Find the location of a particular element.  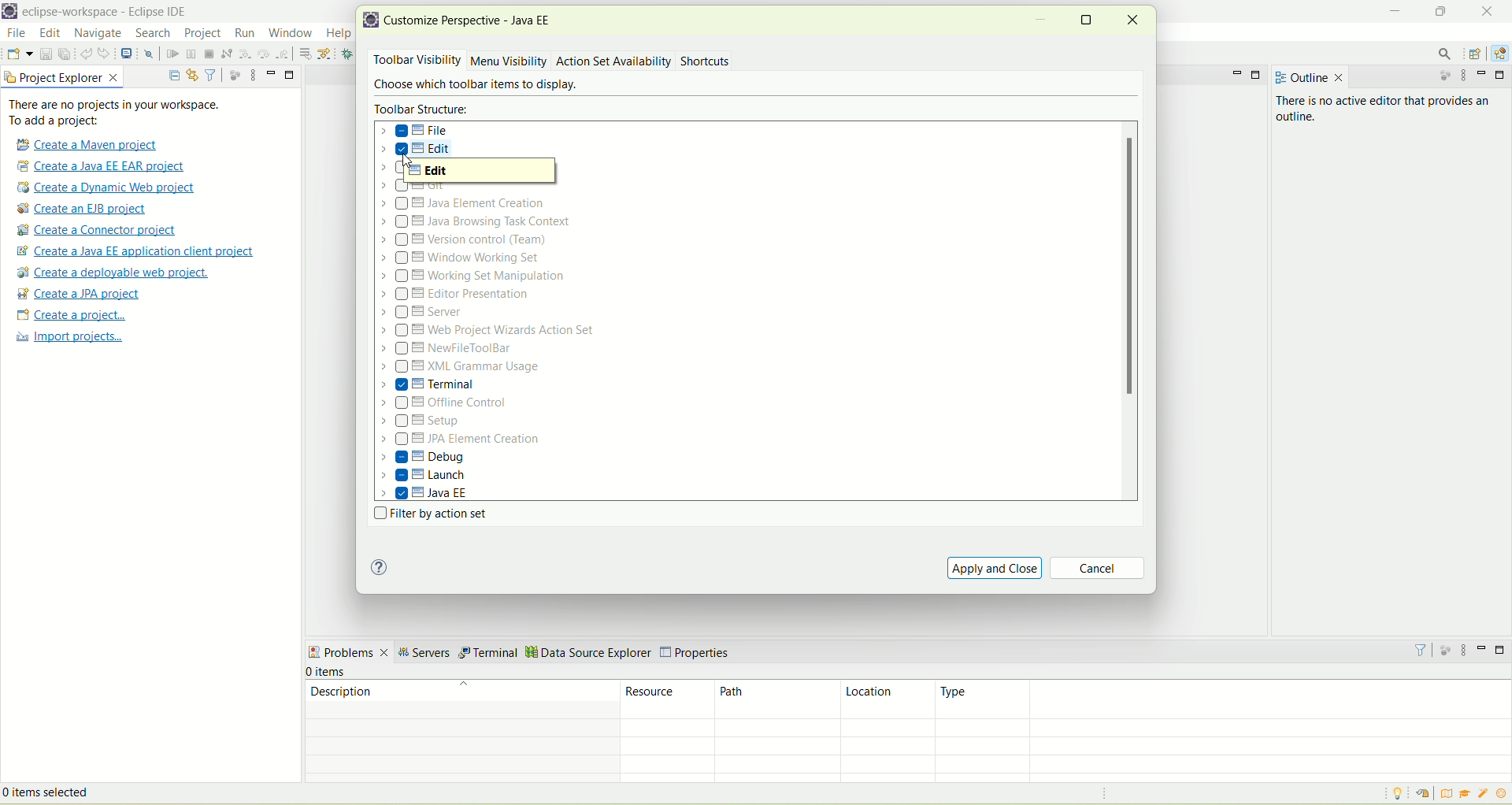

number of items is located at coordinates (339, 672).